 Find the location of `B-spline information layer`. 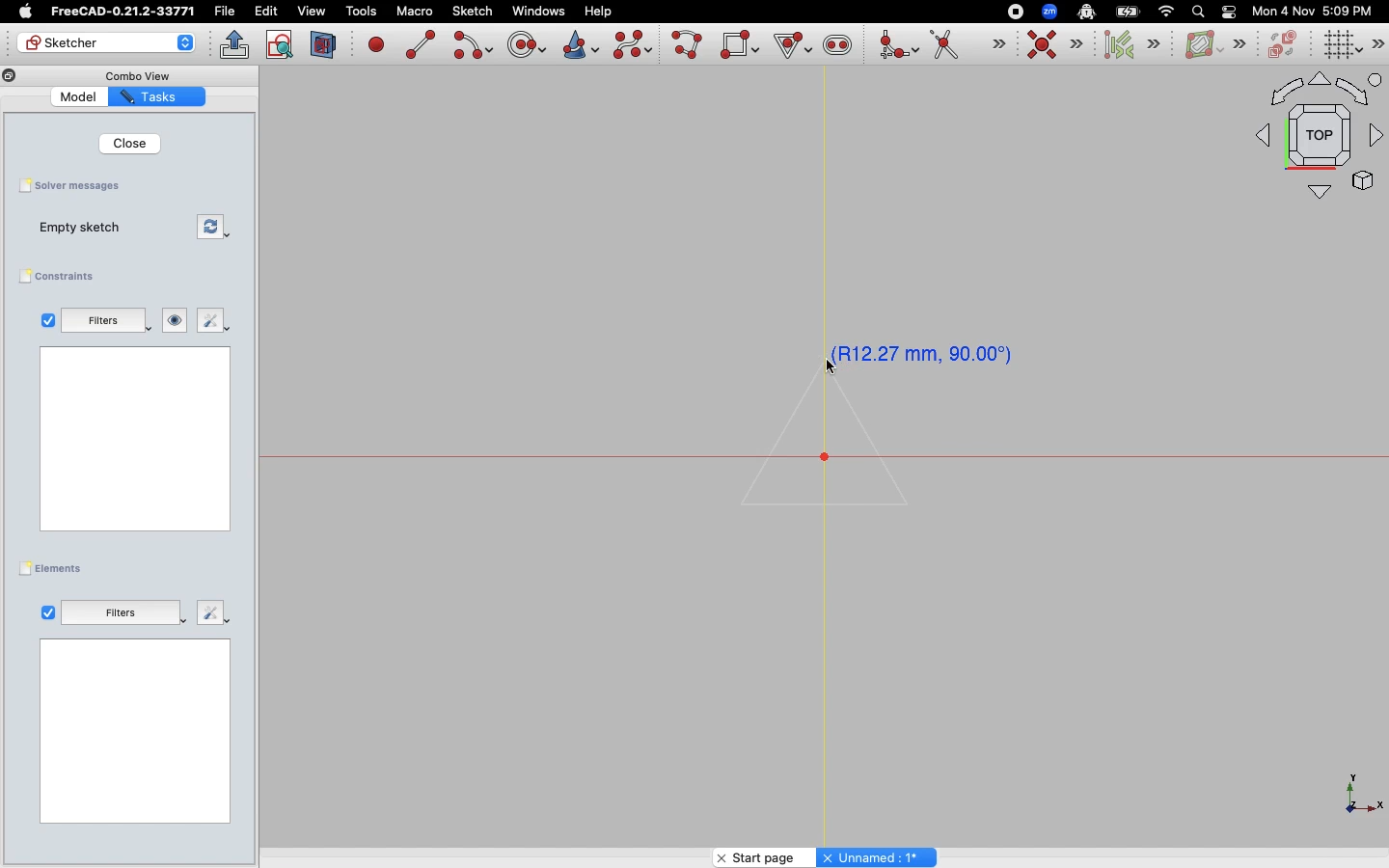

B-spline information layer is located at coordinates (1213, 45).